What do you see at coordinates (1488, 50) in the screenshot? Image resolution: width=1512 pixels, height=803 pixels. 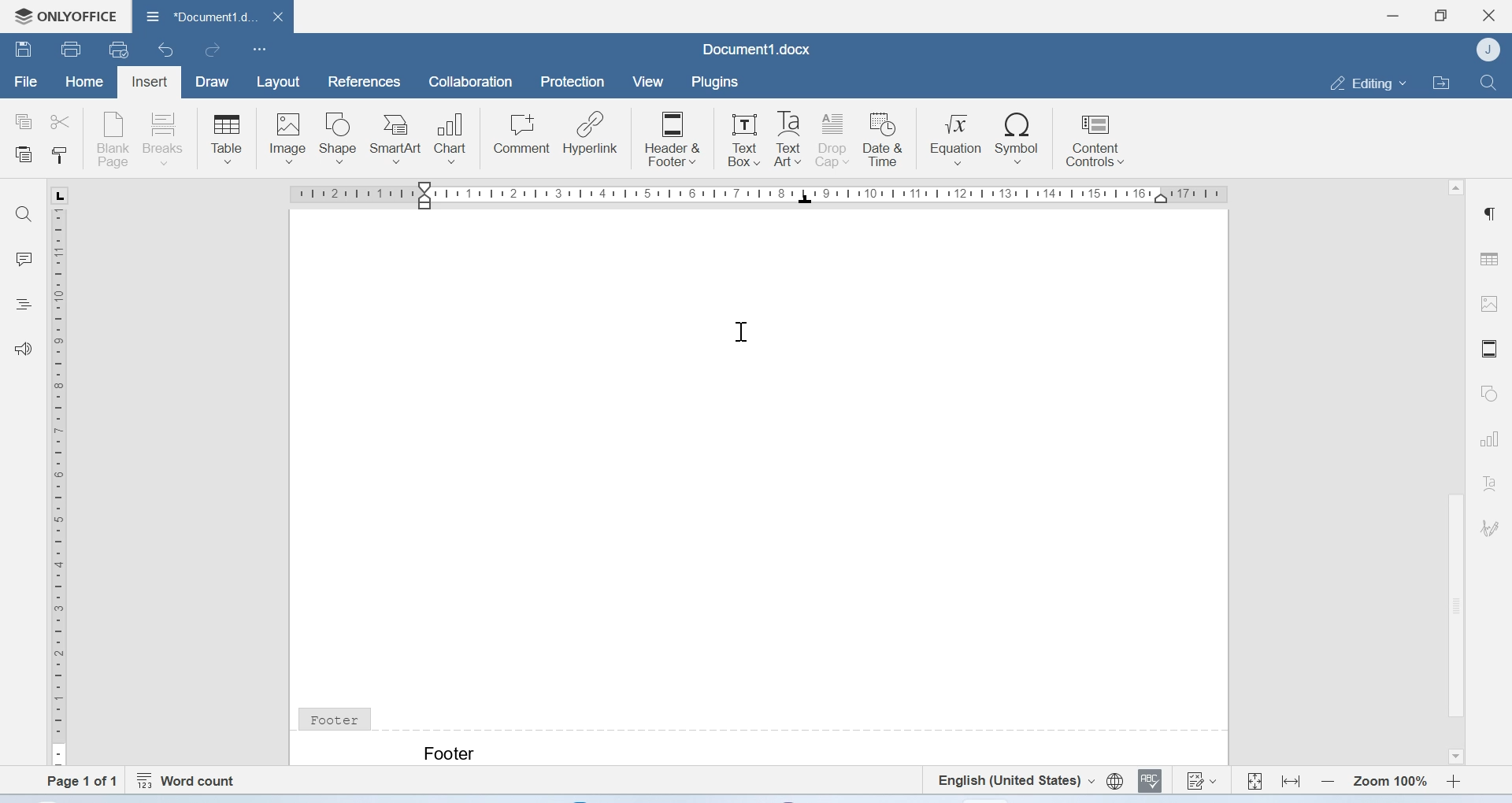 I see `Account` at bounding box center [1488, 50].